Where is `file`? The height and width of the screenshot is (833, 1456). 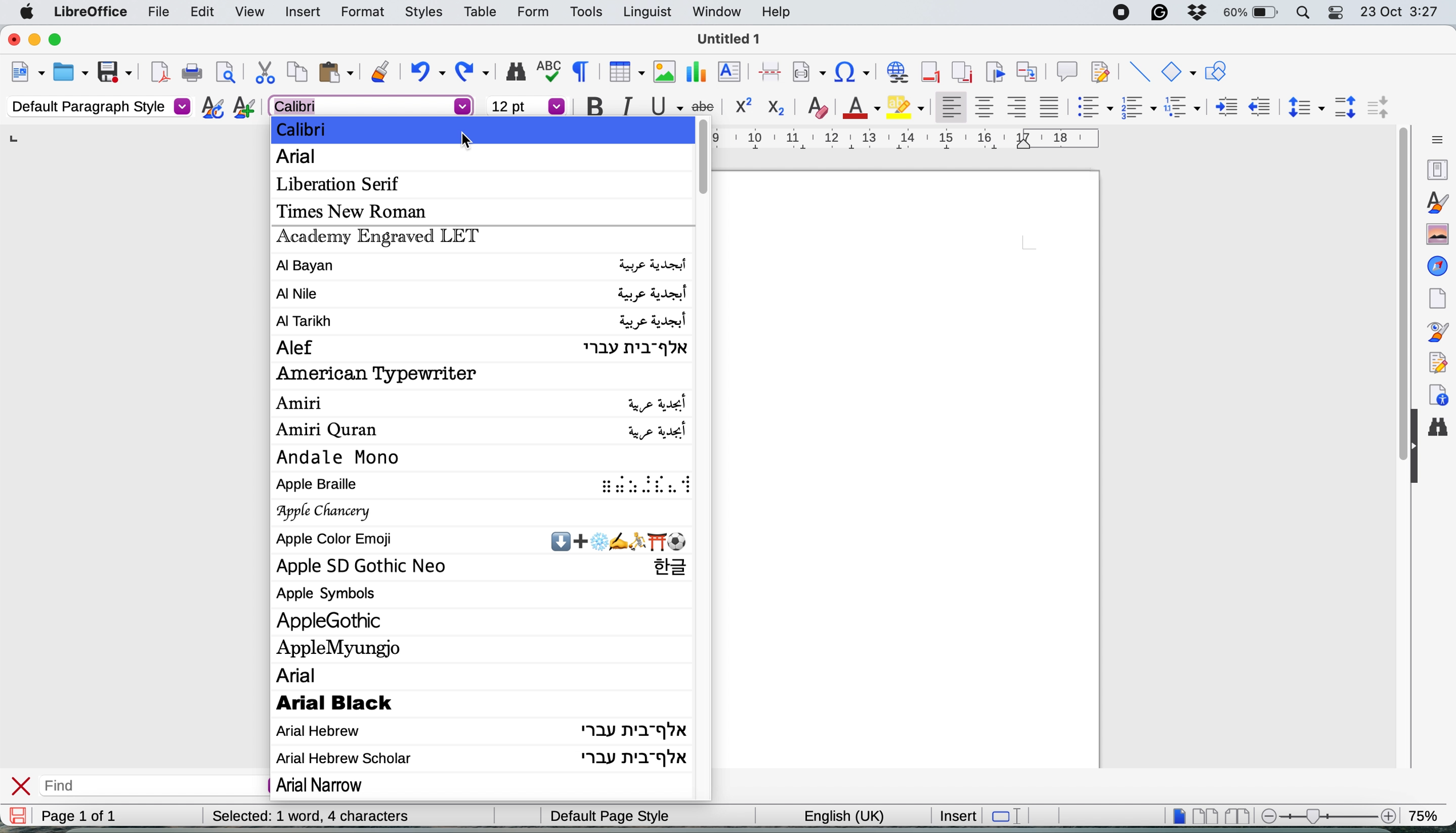
file is located at coordinates (153, 13).